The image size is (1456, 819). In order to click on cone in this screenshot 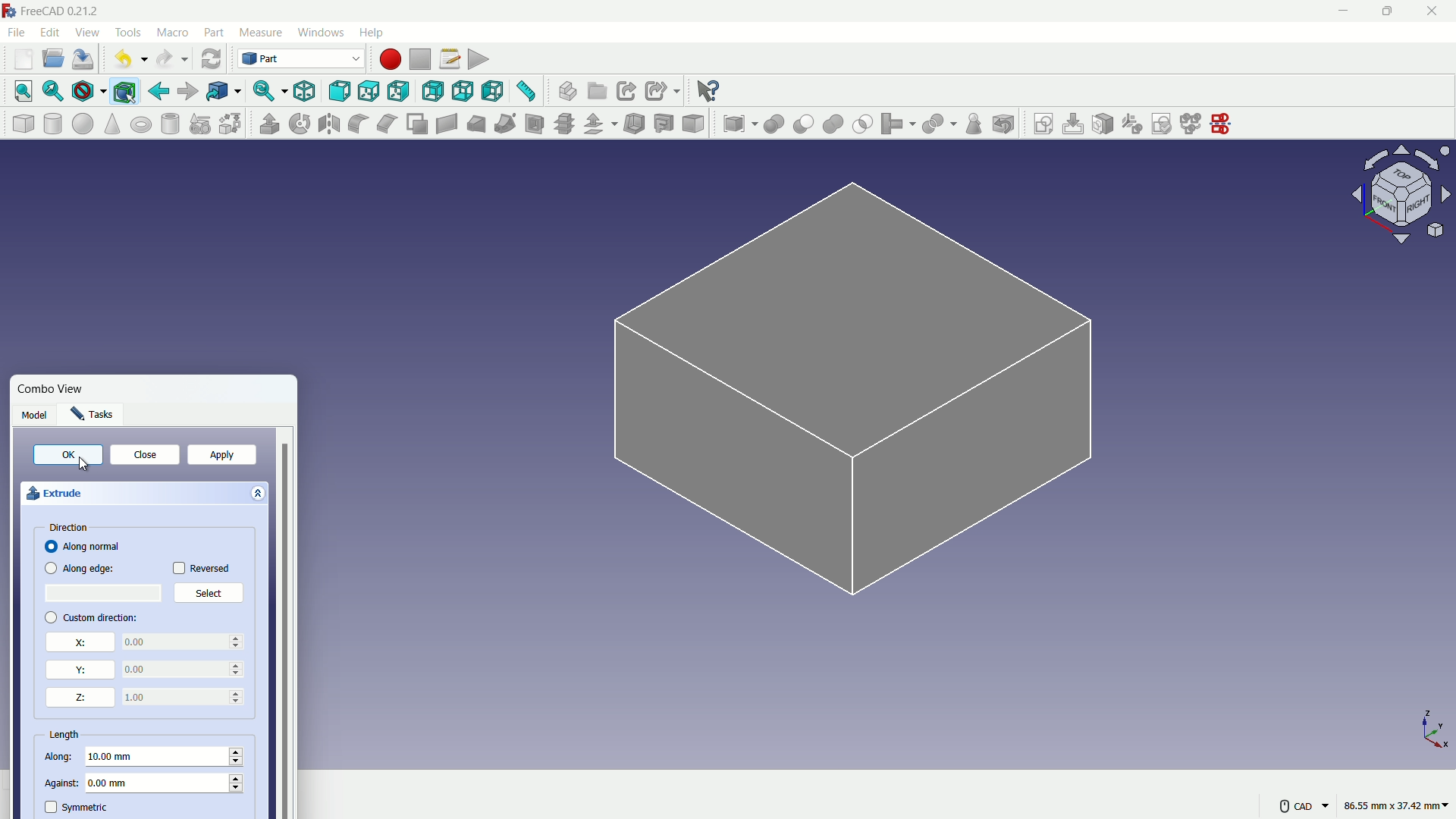, I will do `click(113, 123)`.